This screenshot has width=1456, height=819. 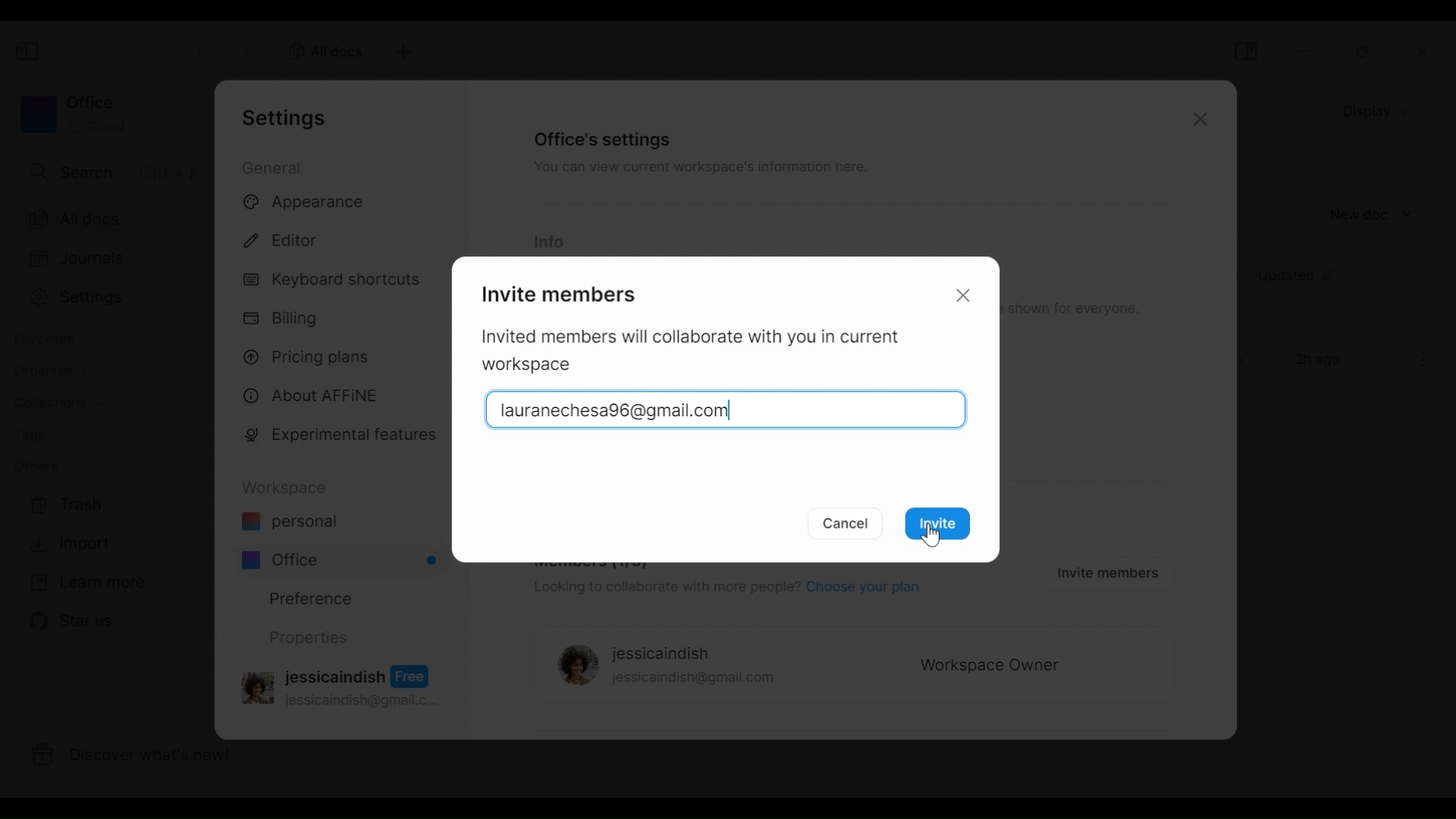 I want to click on Biling, so click(x=284, y=319).